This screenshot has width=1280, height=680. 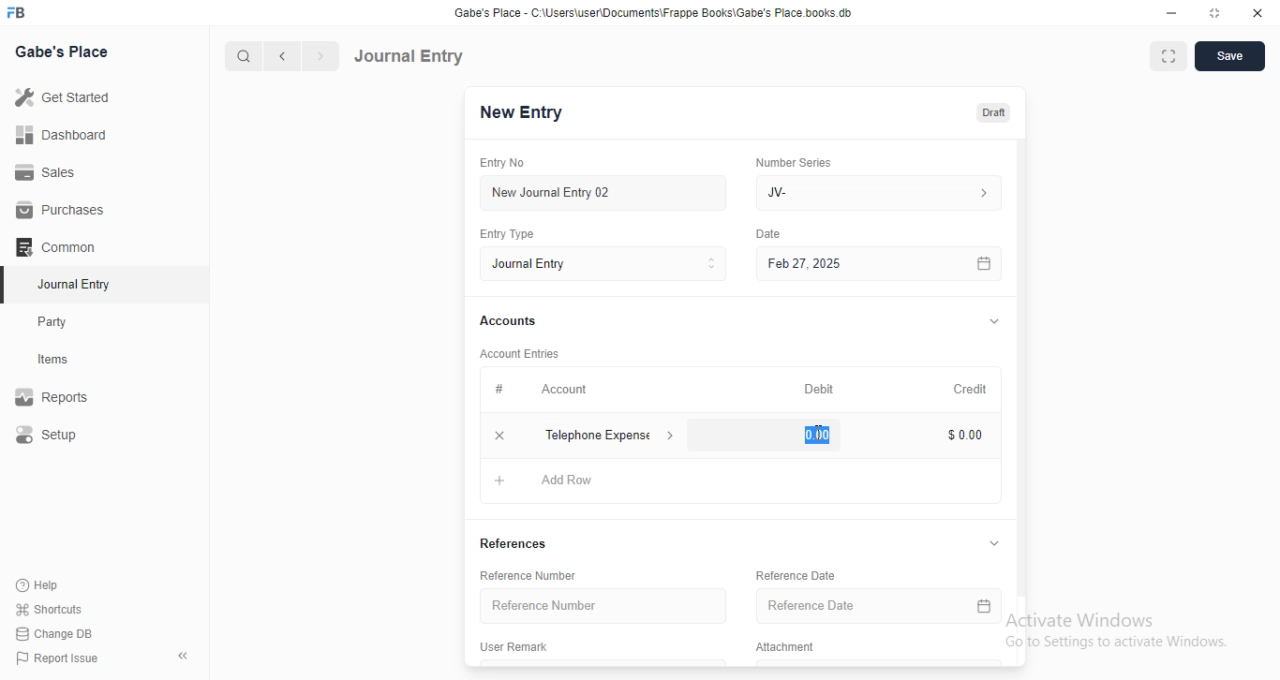 What do you see at coordinates (19, 11) in the screenshot?
I see `FB` at bounding box center [19, 11].